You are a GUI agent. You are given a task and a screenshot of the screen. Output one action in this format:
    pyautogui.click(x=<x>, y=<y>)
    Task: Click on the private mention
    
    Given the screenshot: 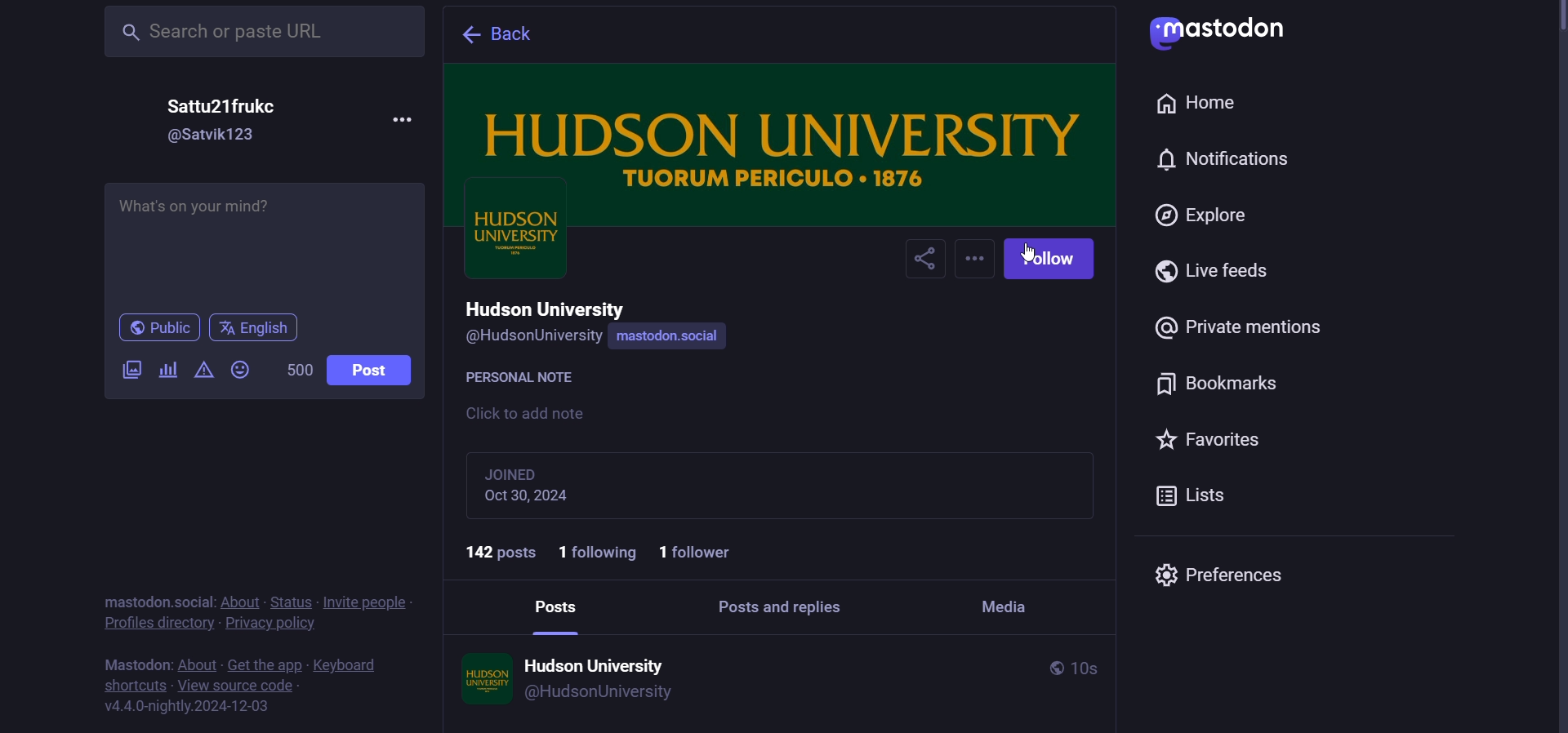 What is the action you would take?
    pyautogui.click(x=1245, y=330)
    